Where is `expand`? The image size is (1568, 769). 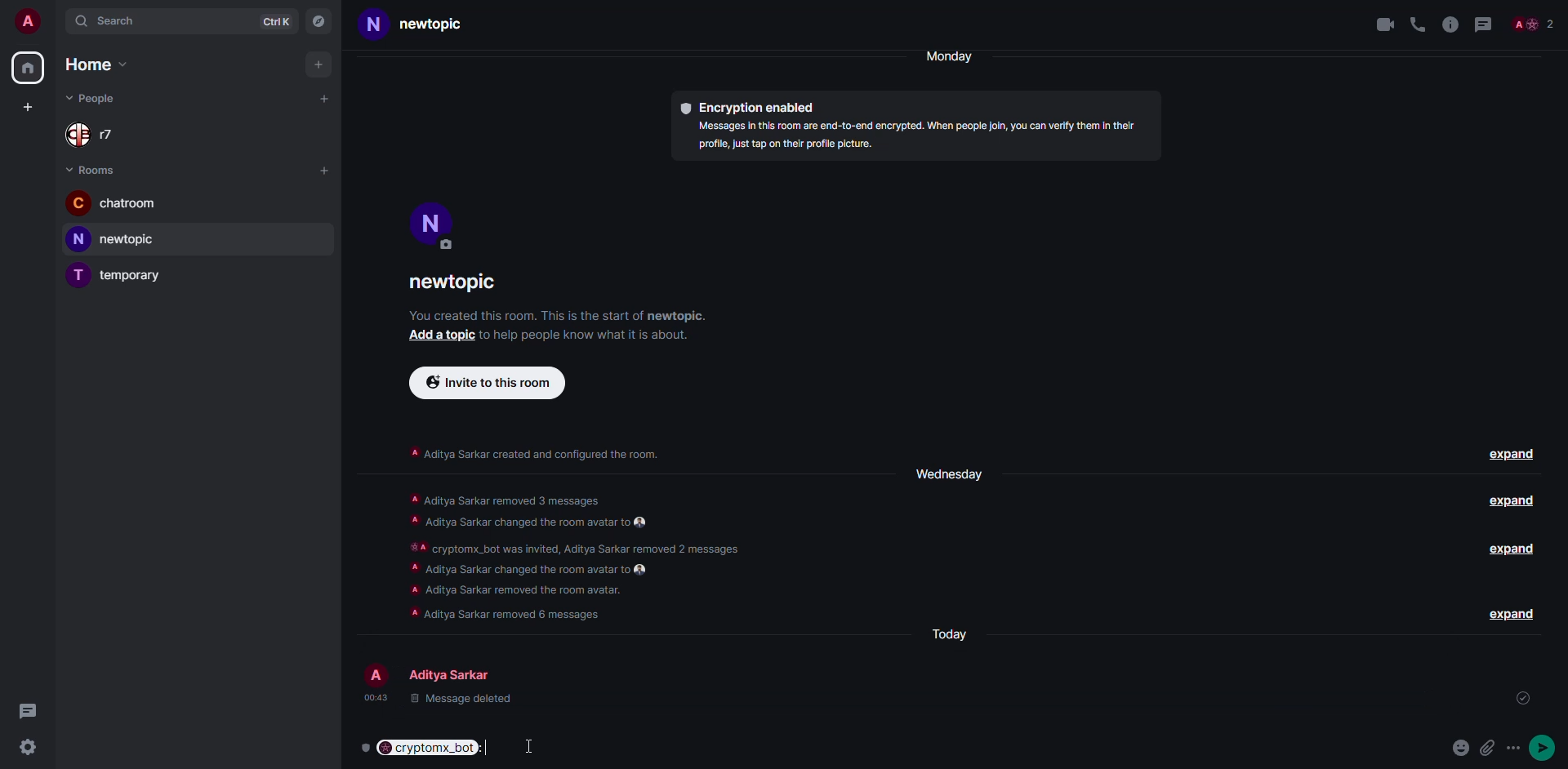
expand is located at coordinates (1509, 613).